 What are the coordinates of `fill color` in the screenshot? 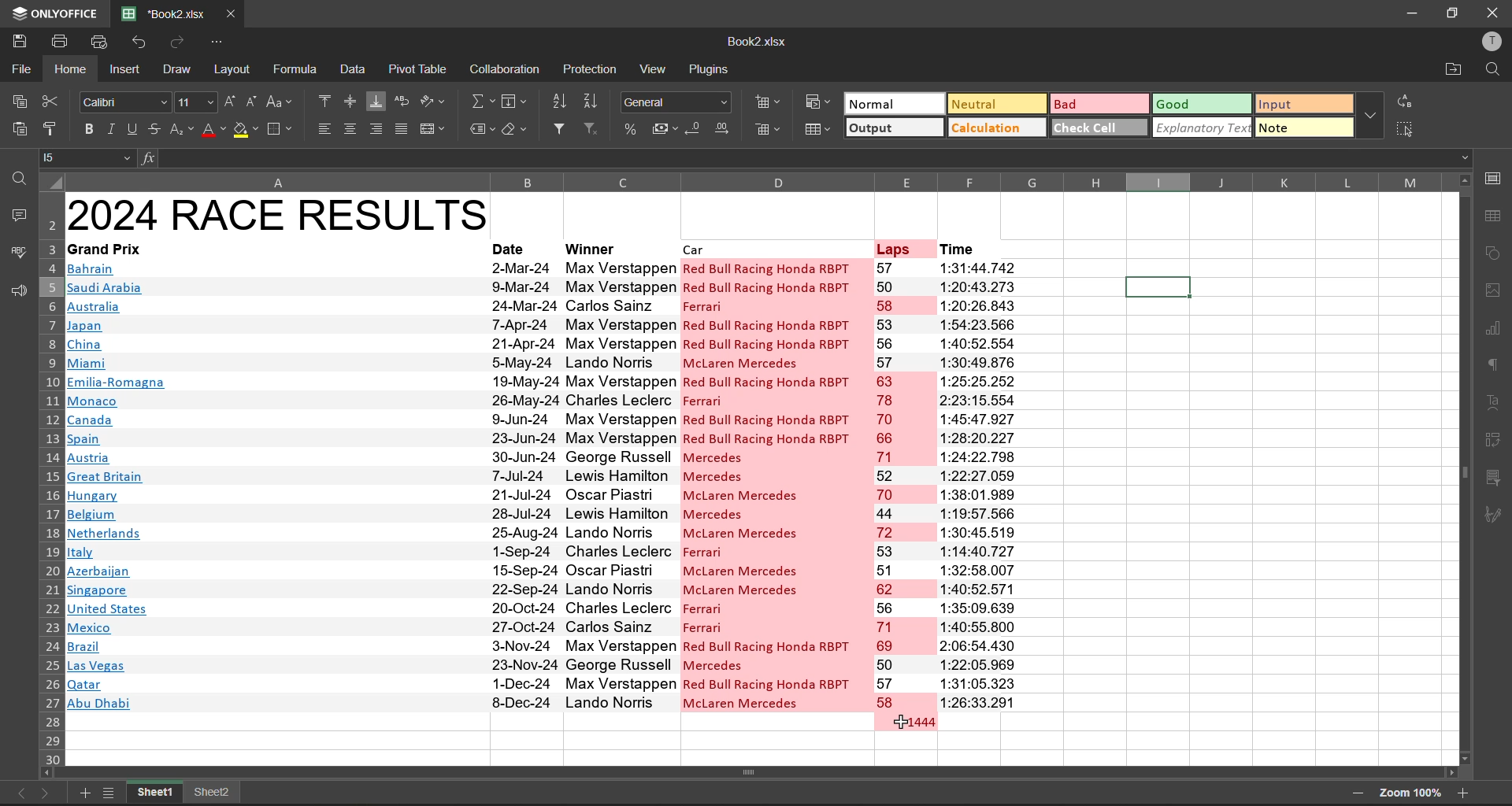 It's located at (244, 130).